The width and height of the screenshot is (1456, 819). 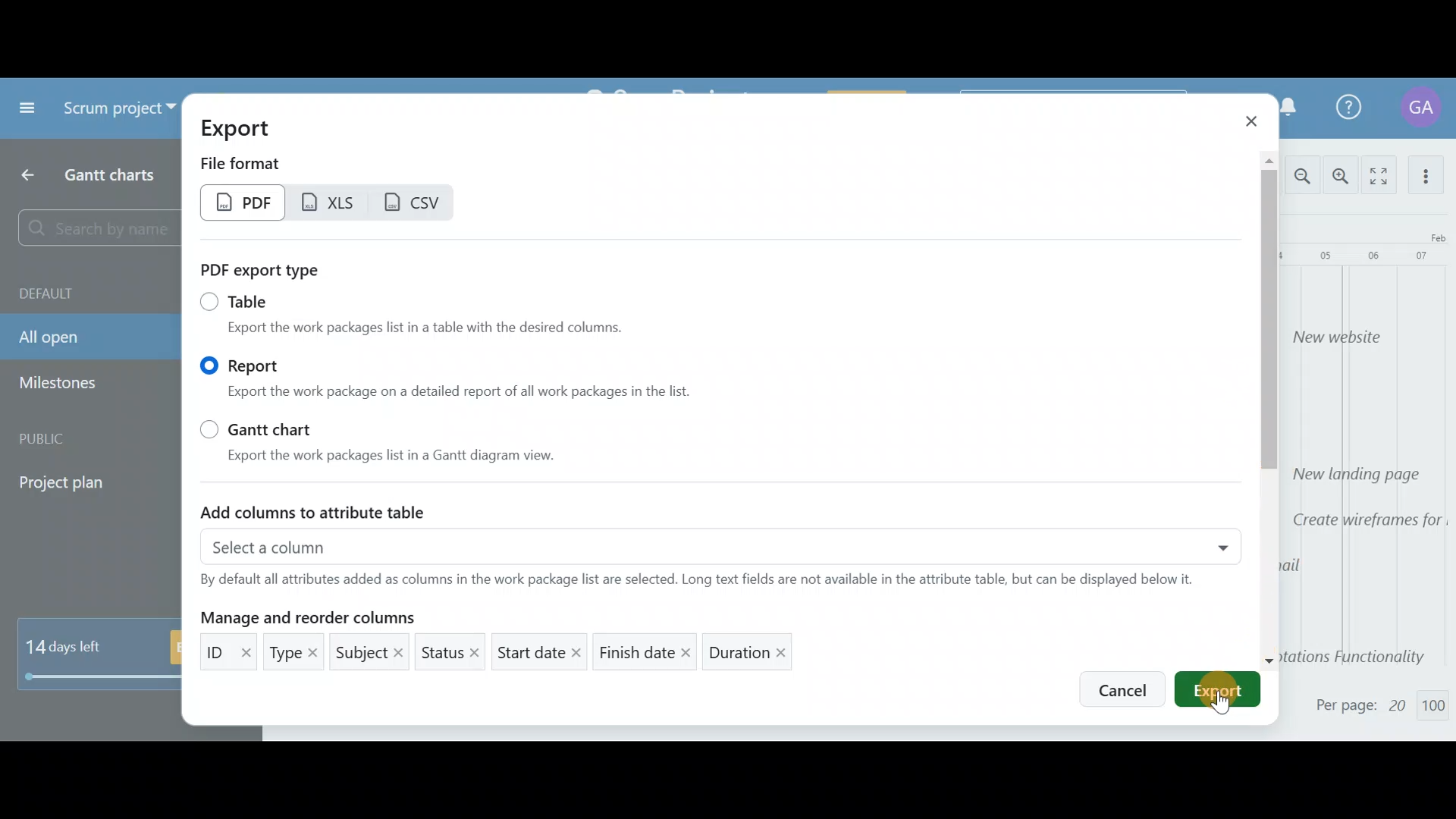 What do you see at coordinates (114, 173) in the screenshot?
I see `Gantt charts` at bounding box center [114, 173].